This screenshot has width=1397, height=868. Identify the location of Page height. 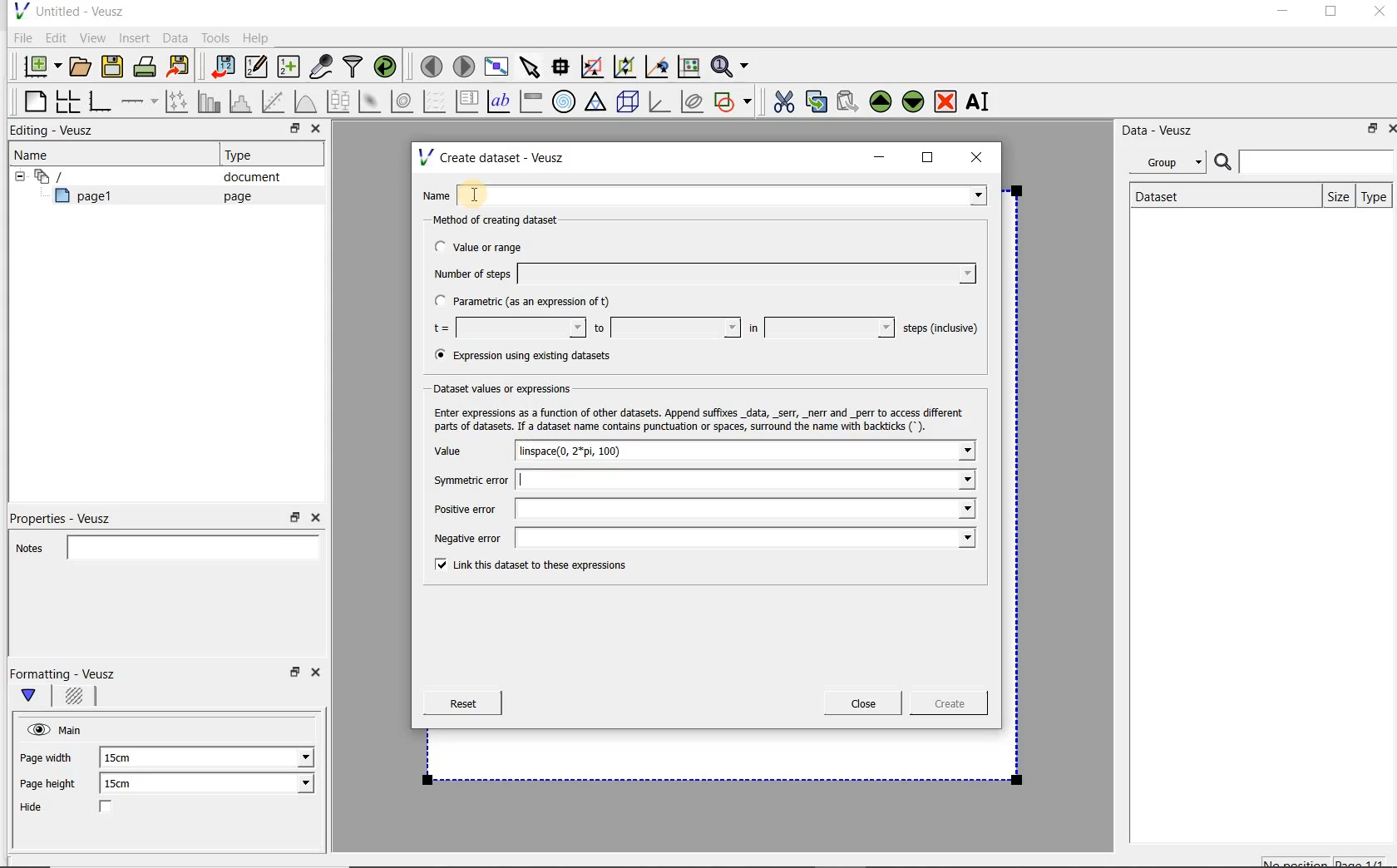
(53, 786).